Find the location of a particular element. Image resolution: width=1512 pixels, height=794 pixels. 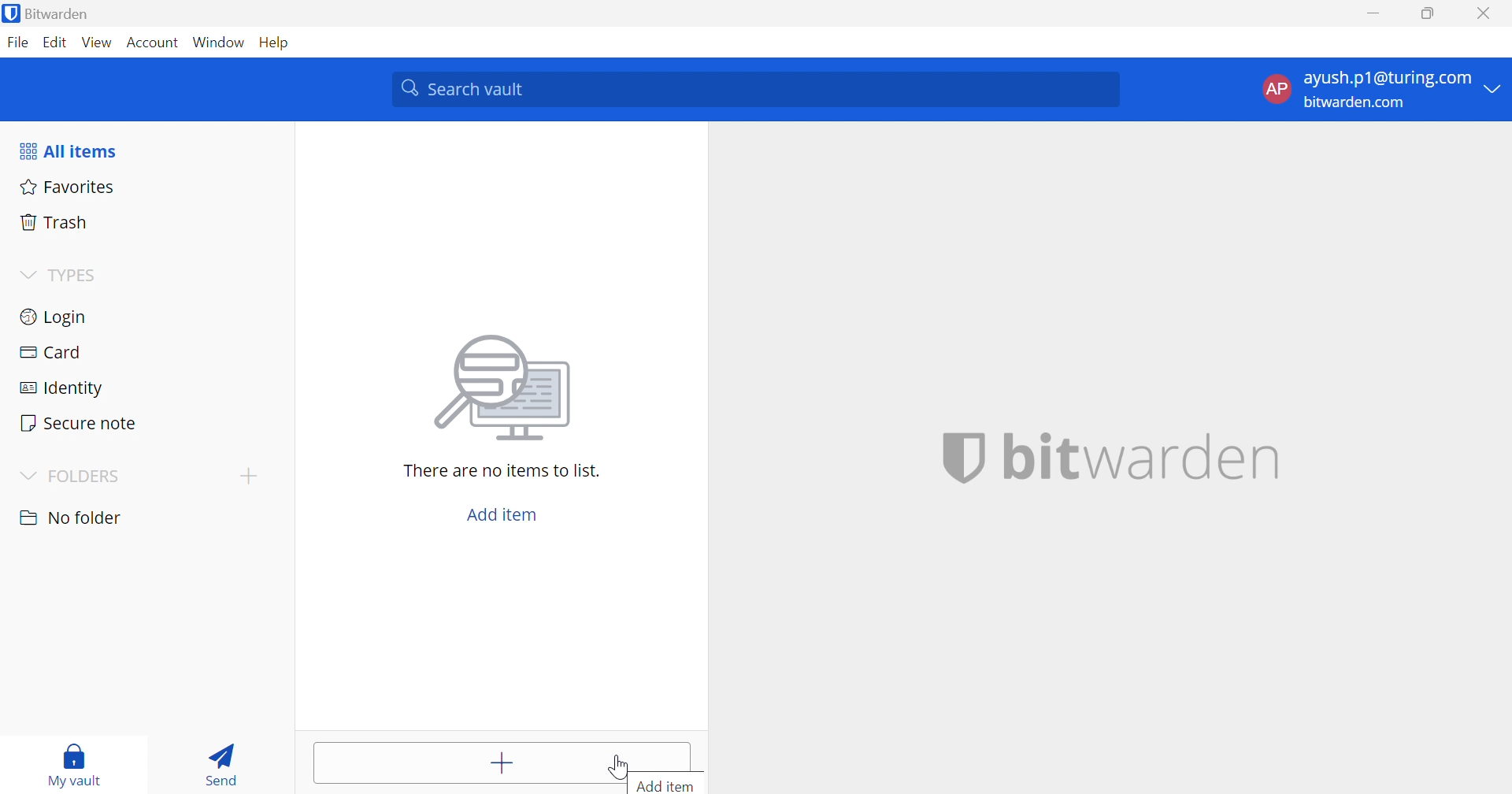

Restore Down is located at coordinates (1429, 13).